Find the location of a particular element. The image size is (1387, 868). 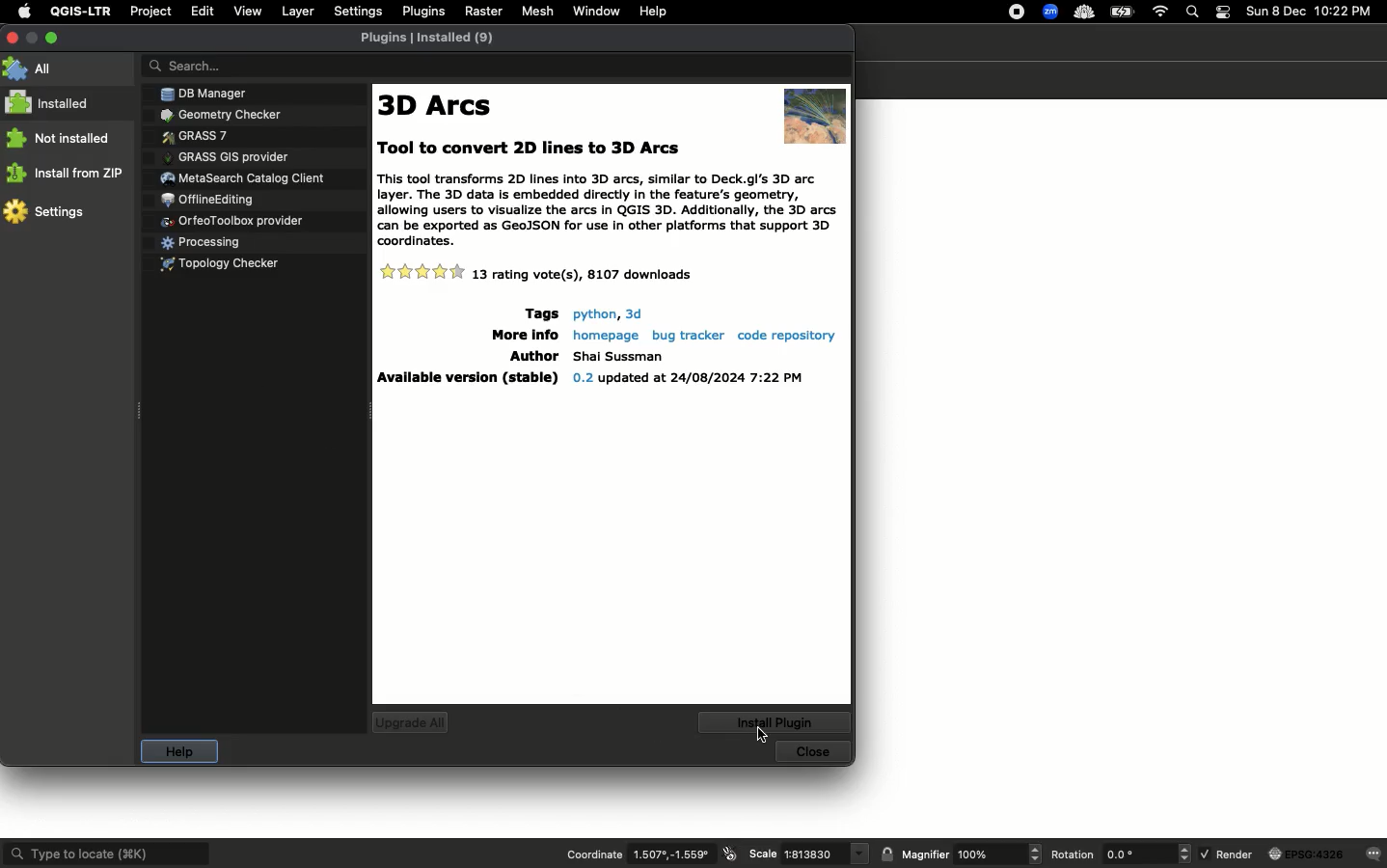

Extension is located at coordinates (1082, 12).